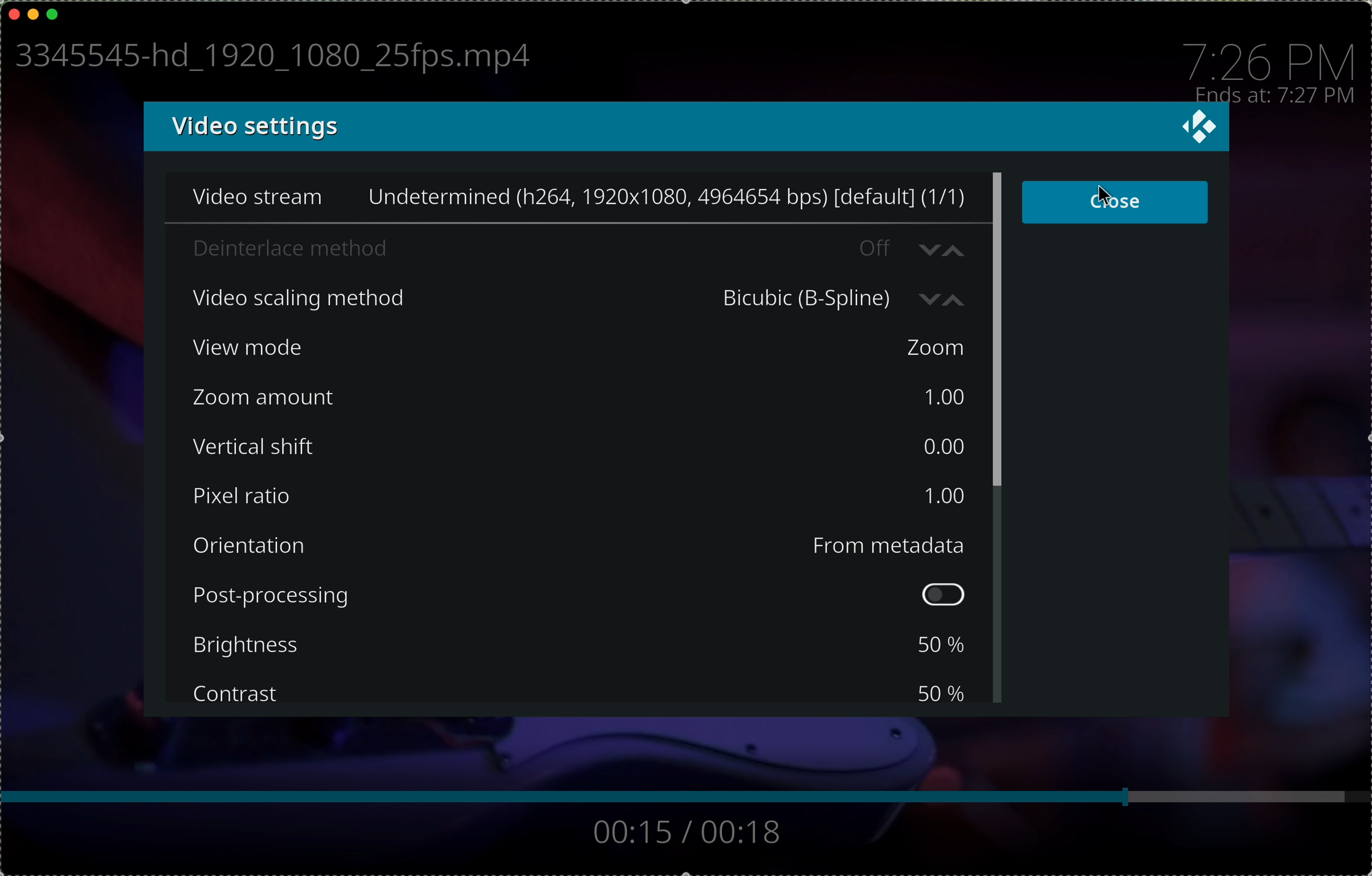 This screenshot has height=876, width=1372. I want to click on maximise, so click(54, 14).